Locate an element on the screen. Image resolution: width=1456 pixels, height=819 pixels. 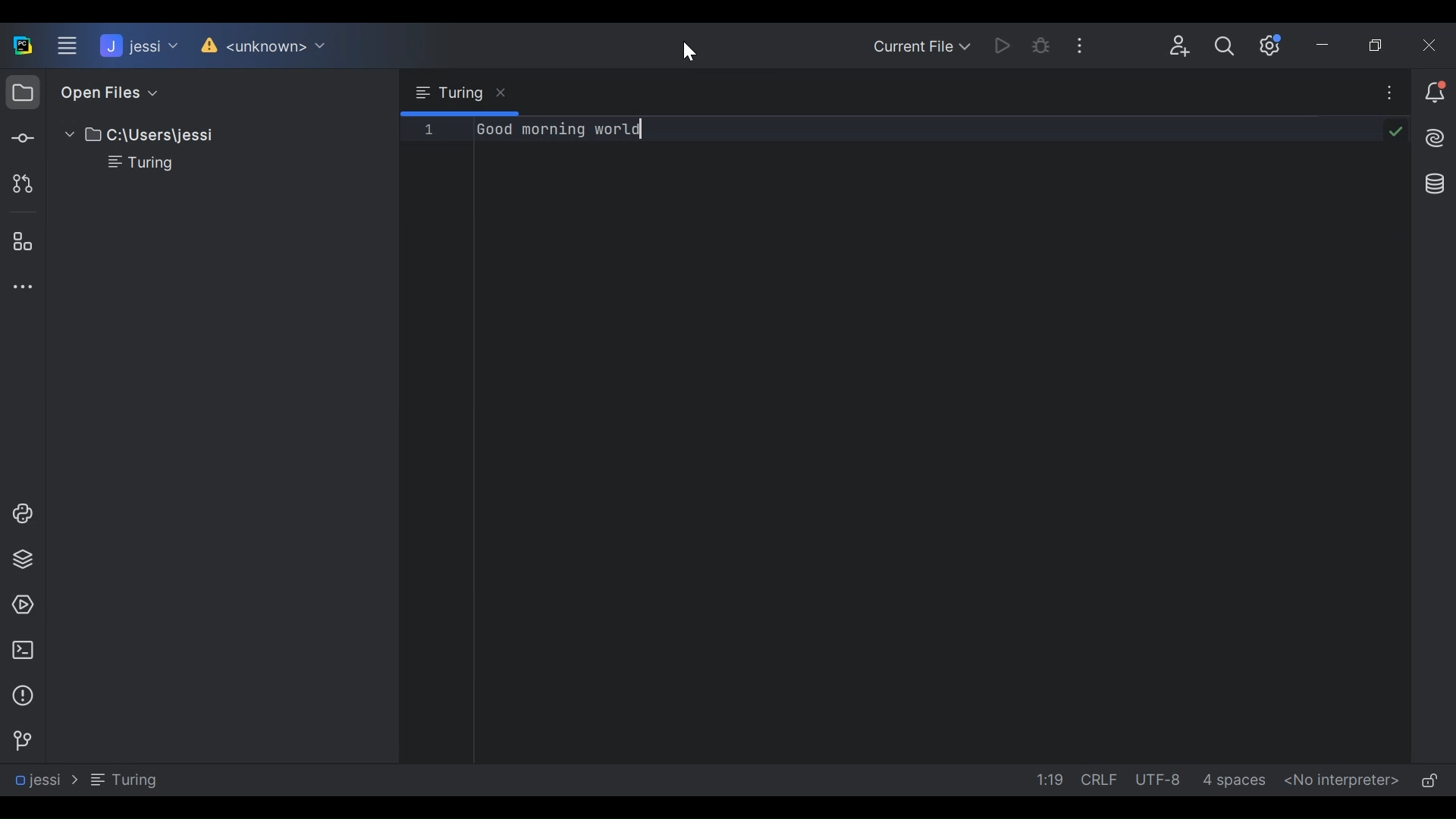
Project Name is located at coordinates (137, 46).